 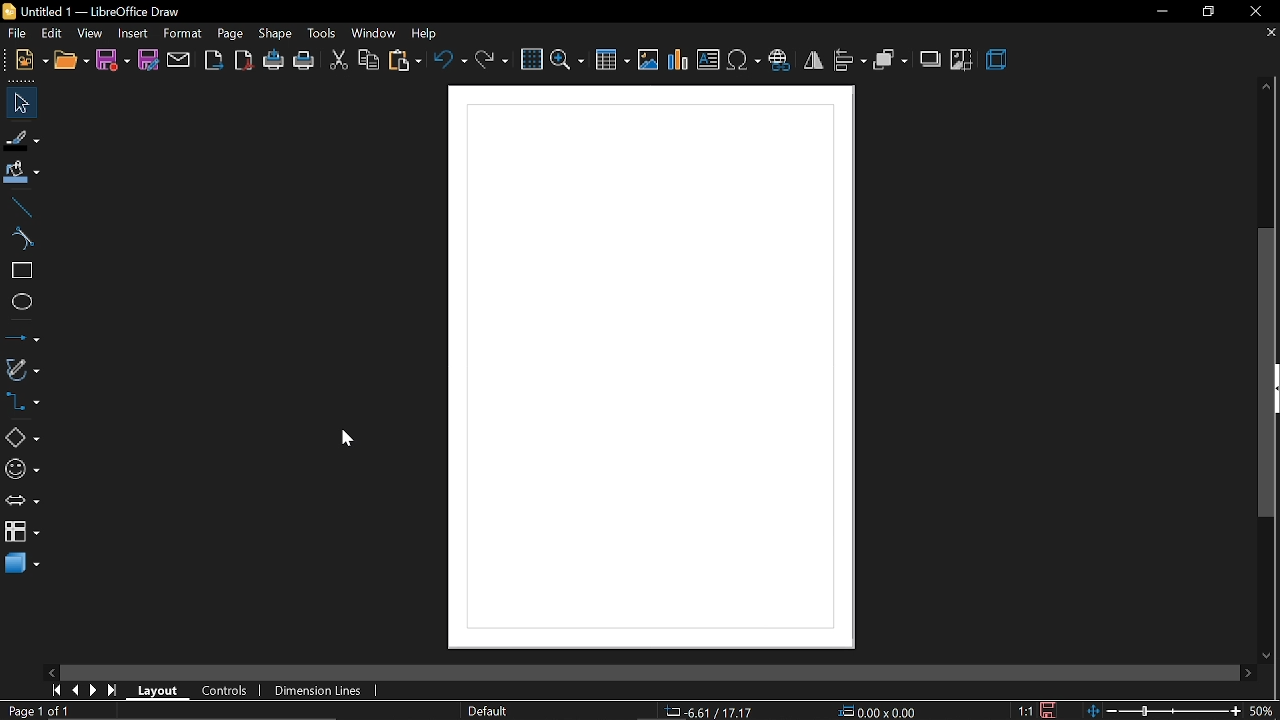 What do you see at coordinates (230, 34) in the screenshot?
I see `page` at bounding box center [230, 34].